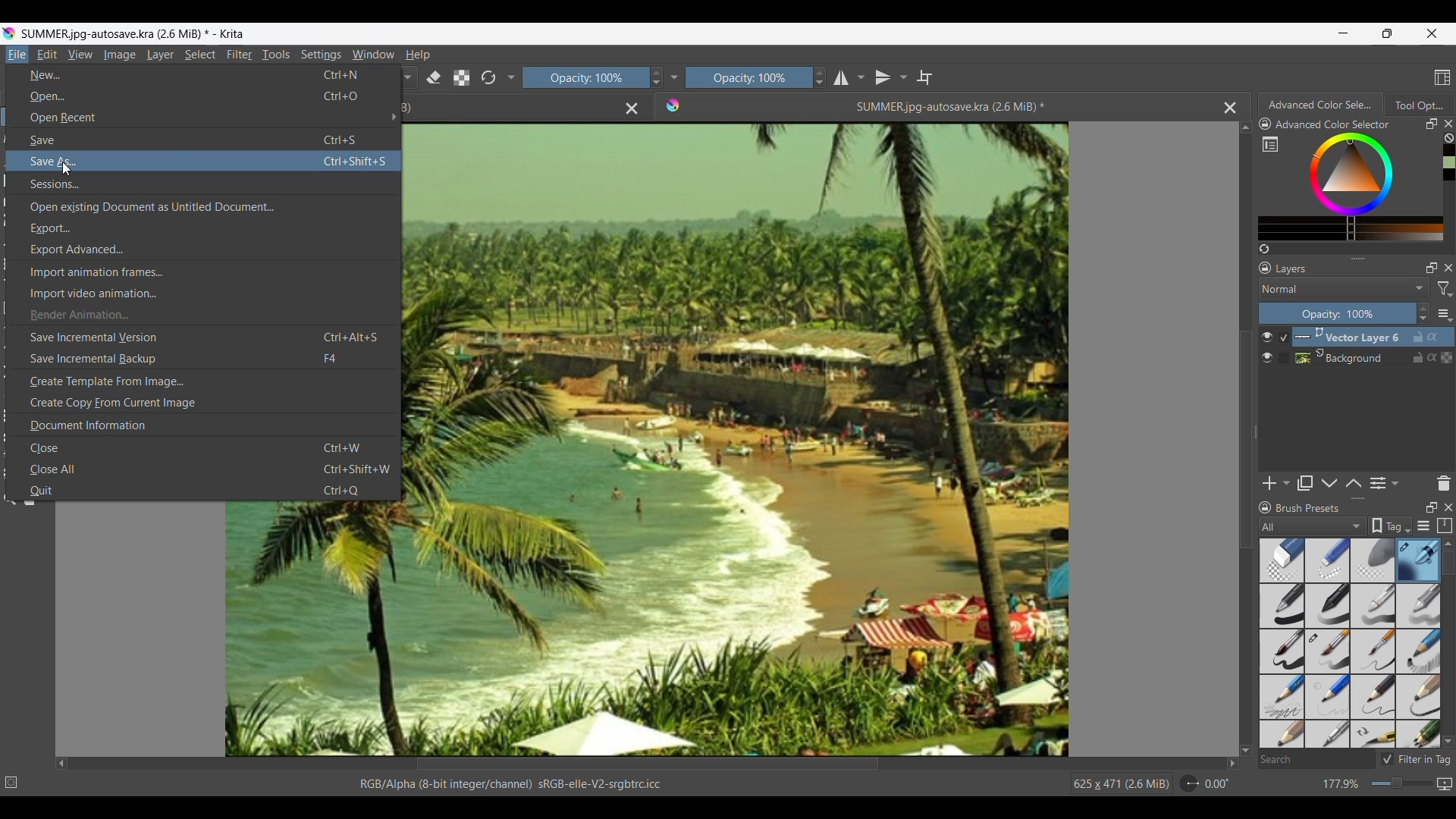  I want to click on Increase/Decrease opacity, so click(662, 77).